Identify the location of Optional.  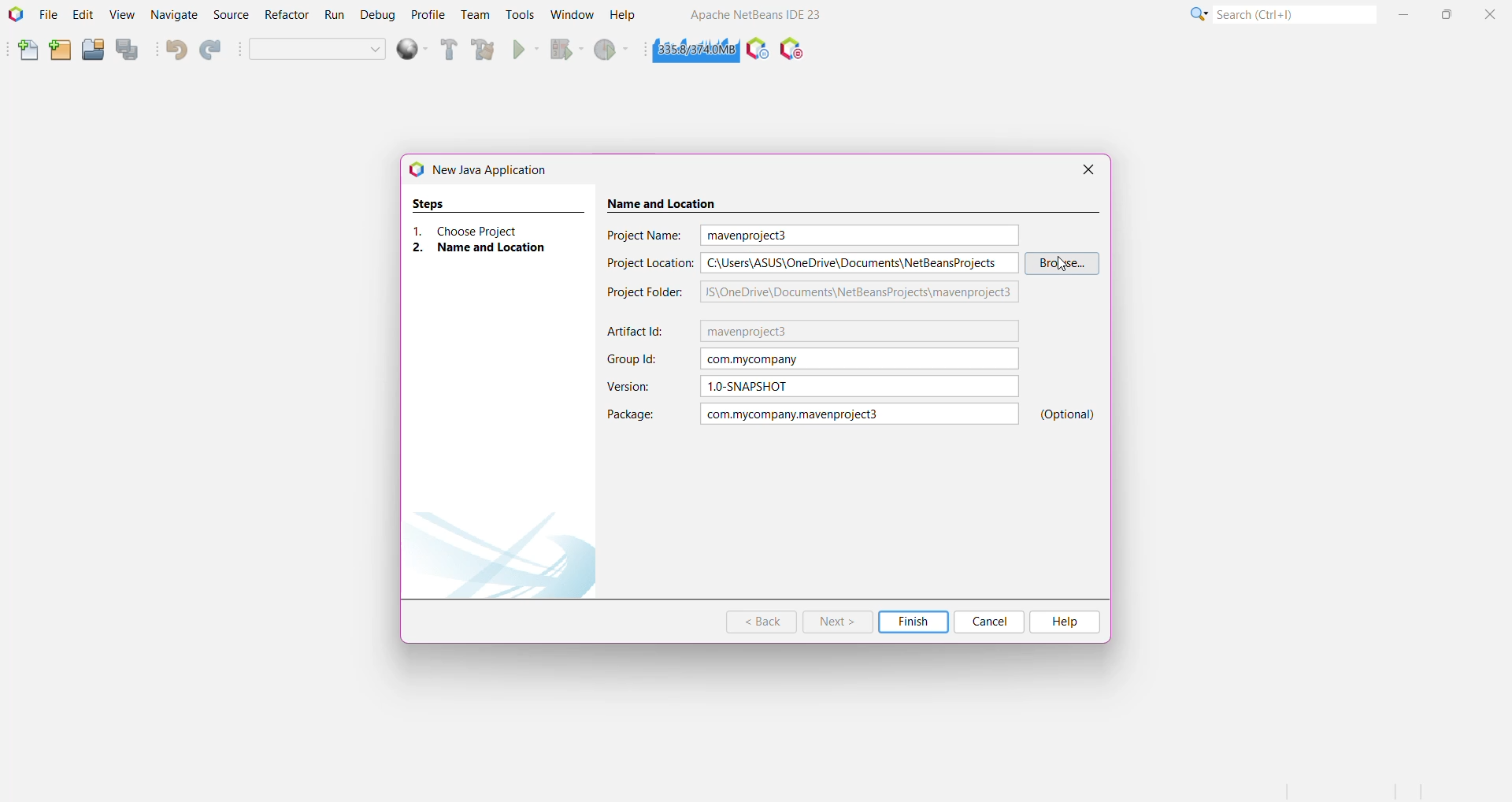
(1069, 414).